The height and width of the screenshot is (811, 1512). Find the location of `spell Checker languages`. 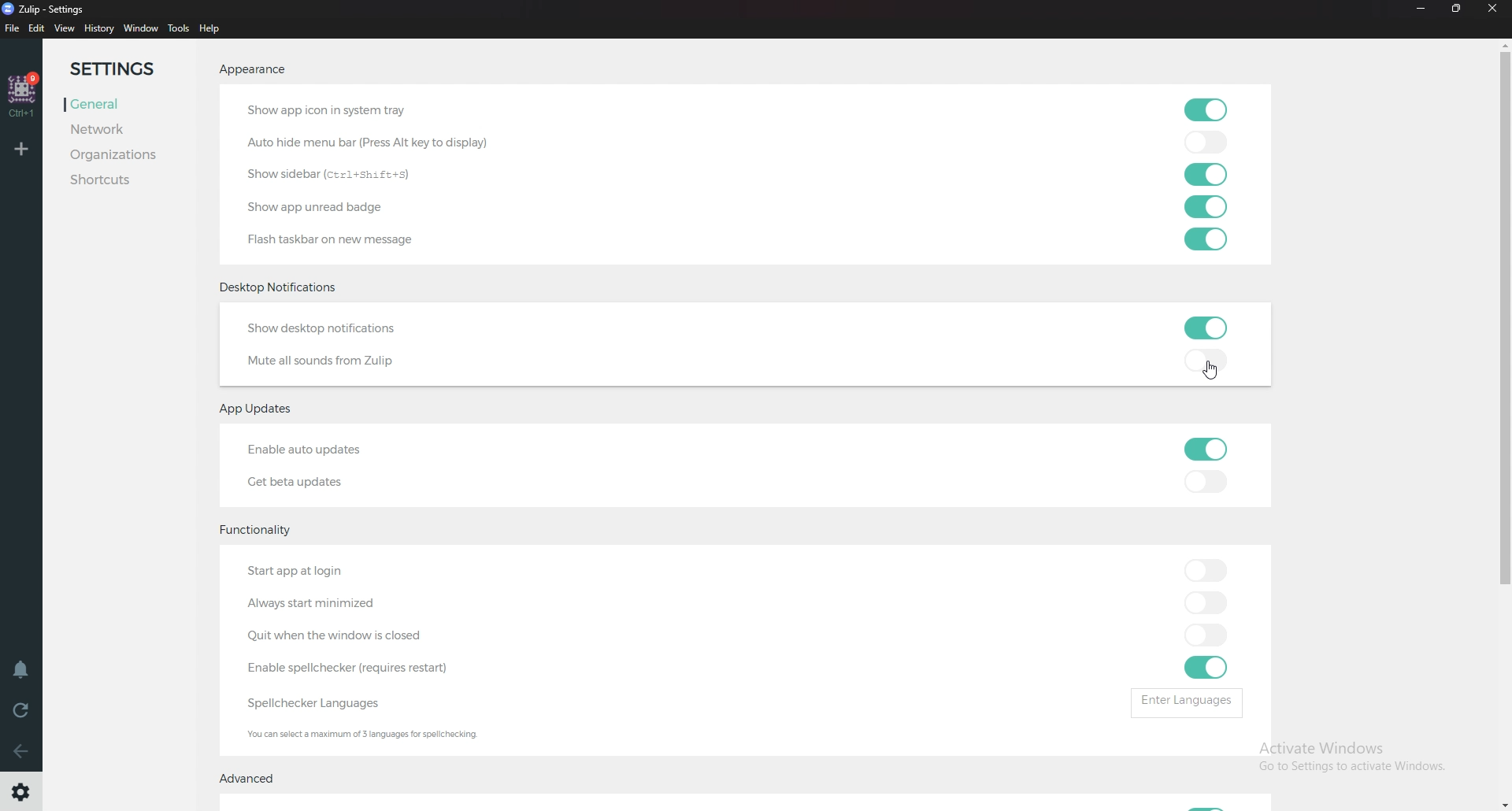

spell Checker languages is located at coordinates (314, 704).